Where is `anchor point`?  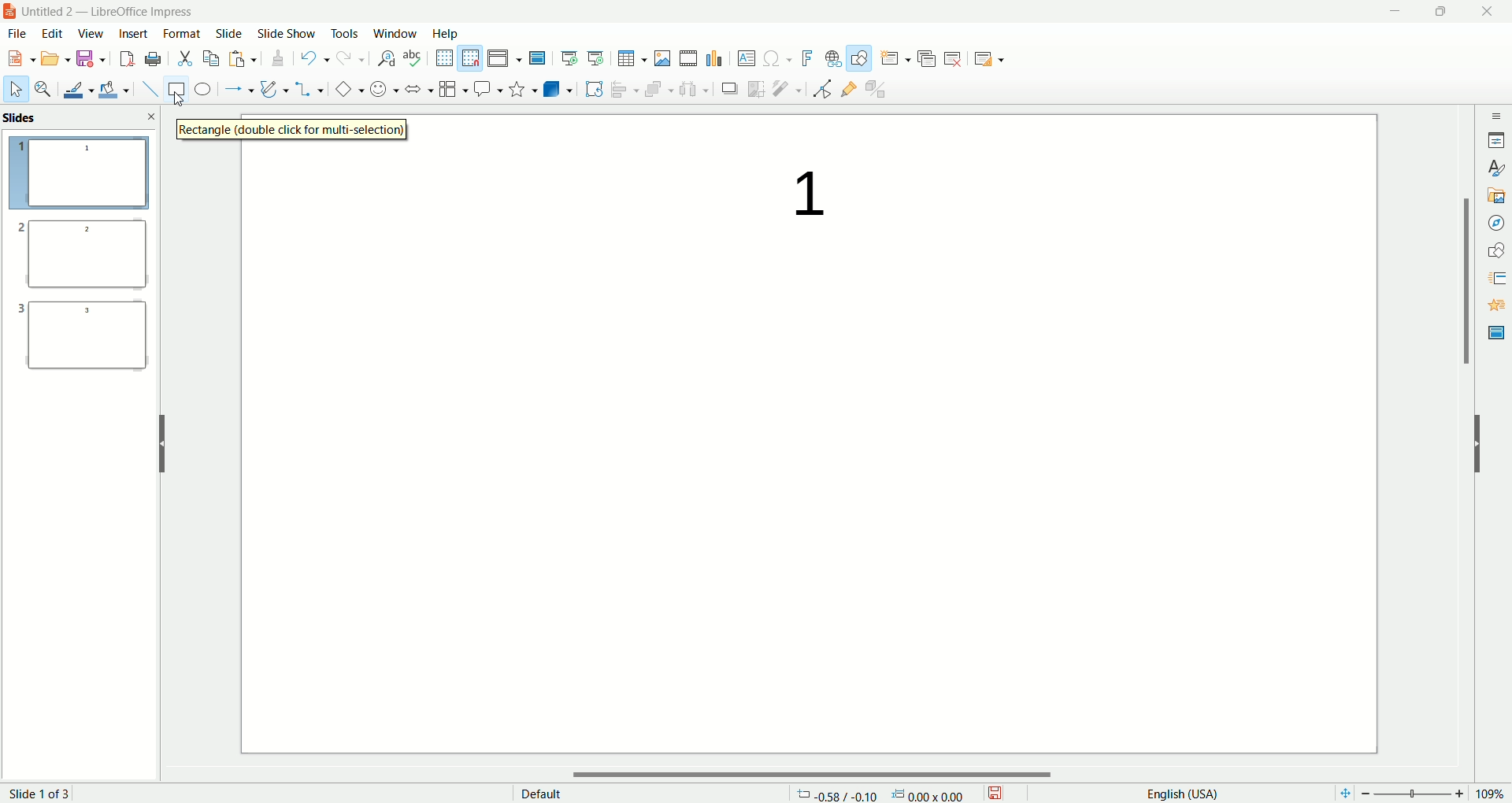 anchor point is located at coordinates (935, 794).